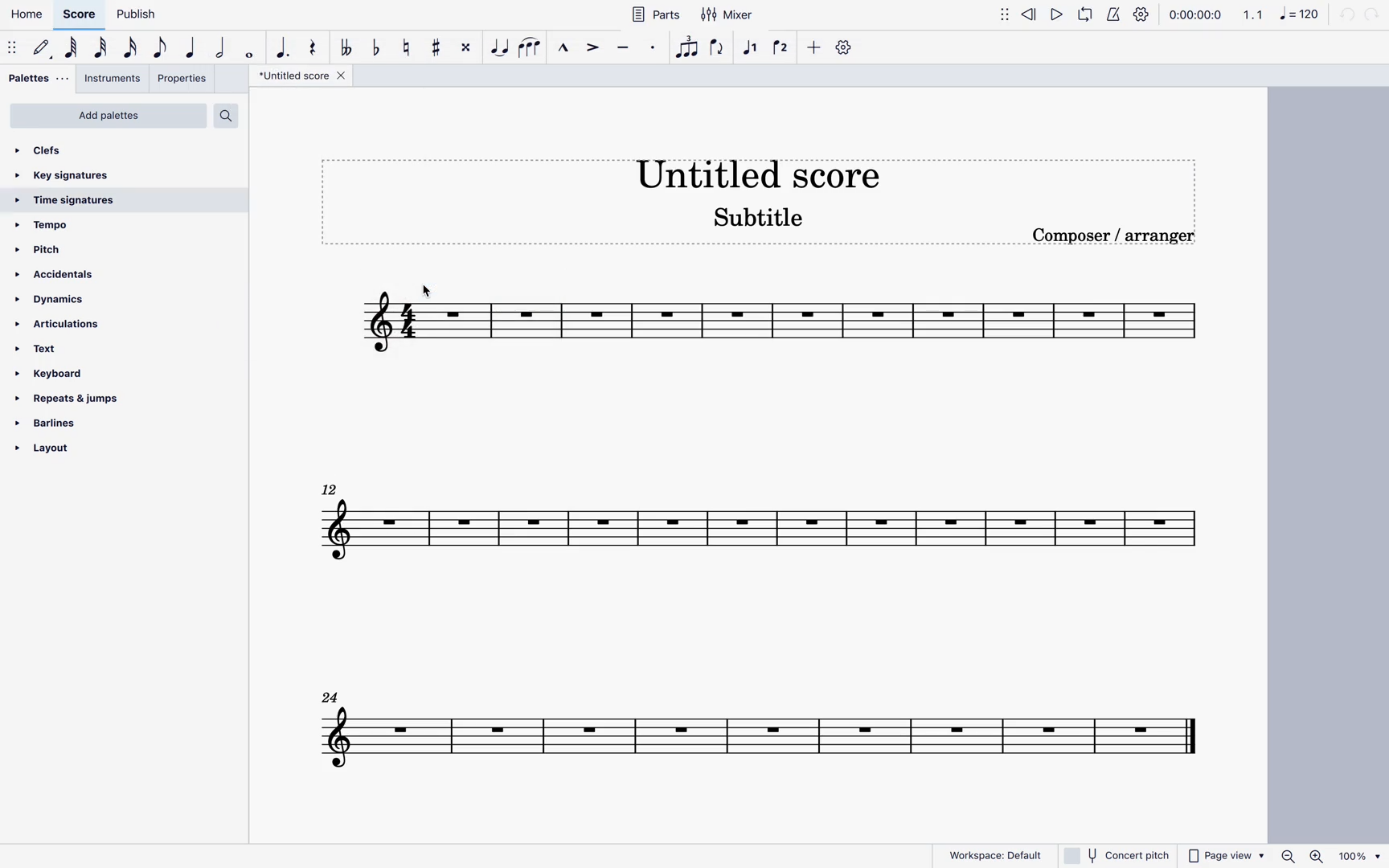 The height and width of the screenshot is (868, 1389). What do you see at coordinates (1297, 15) in the screenshot?
I see `note 120` at bounding box center [1297, 15].